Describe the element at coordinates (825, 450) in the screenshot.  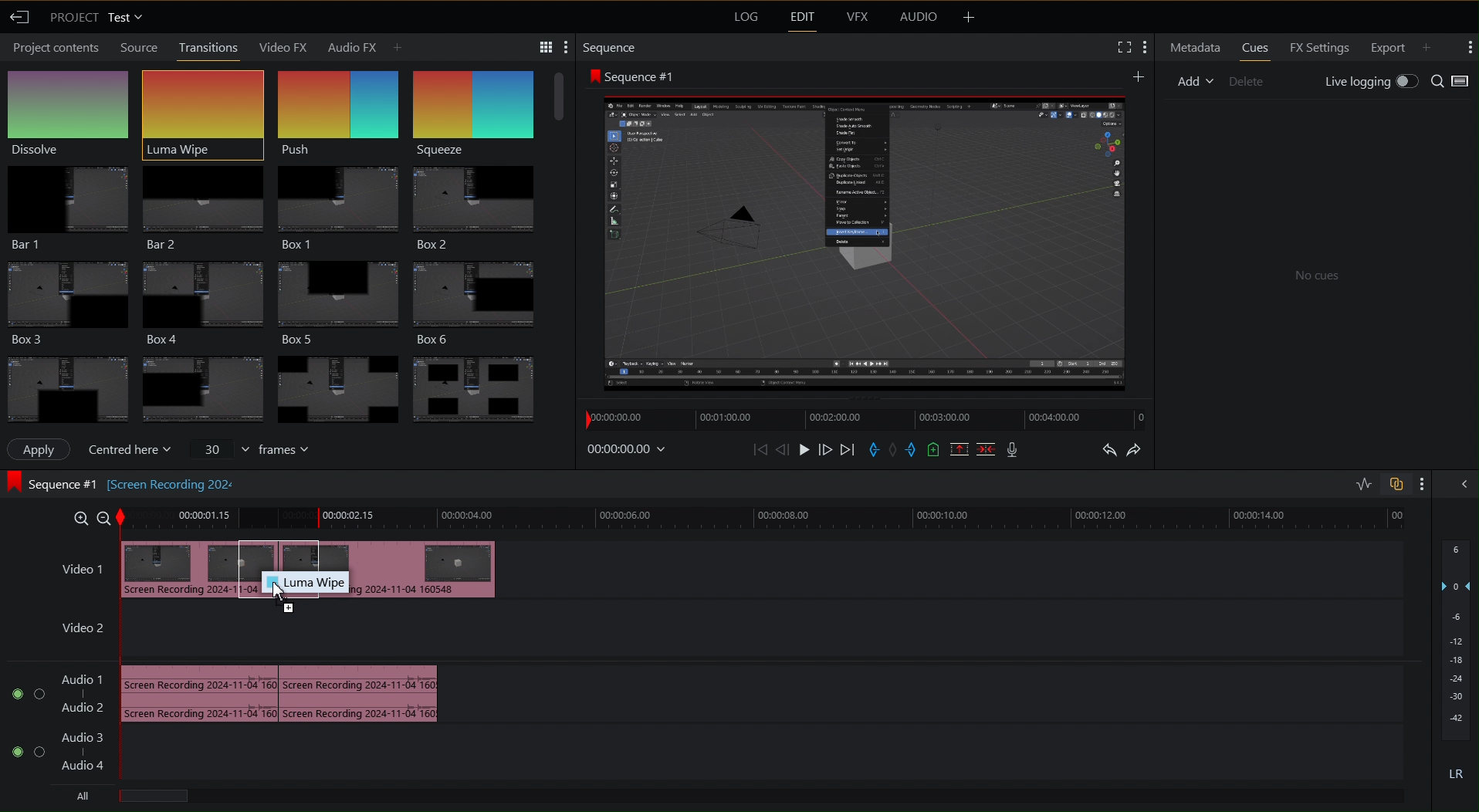
I see `Move Forward` at that location.